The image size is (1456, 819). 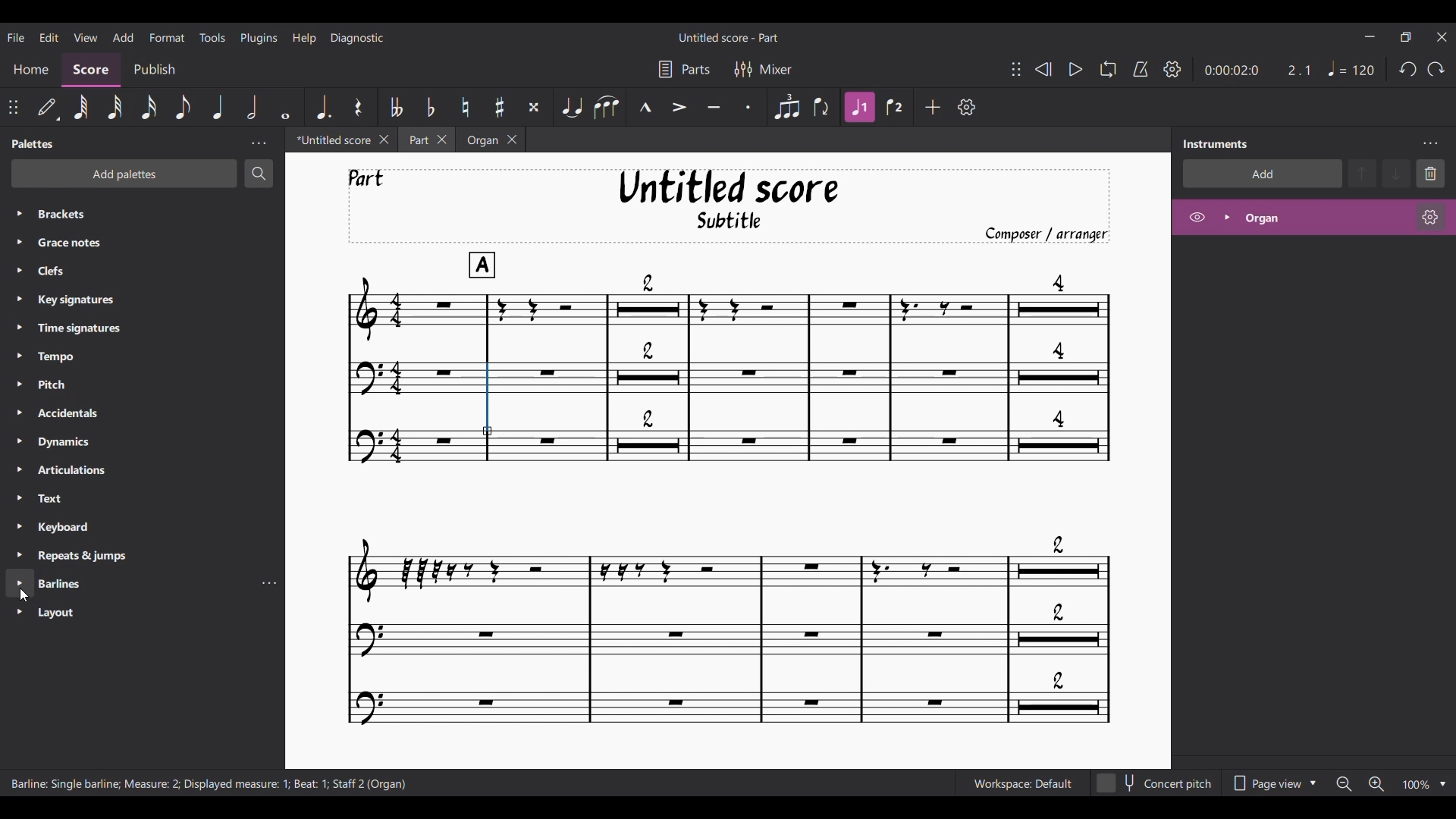 I want to click on Add instrument, so click(x=1262, y=173).